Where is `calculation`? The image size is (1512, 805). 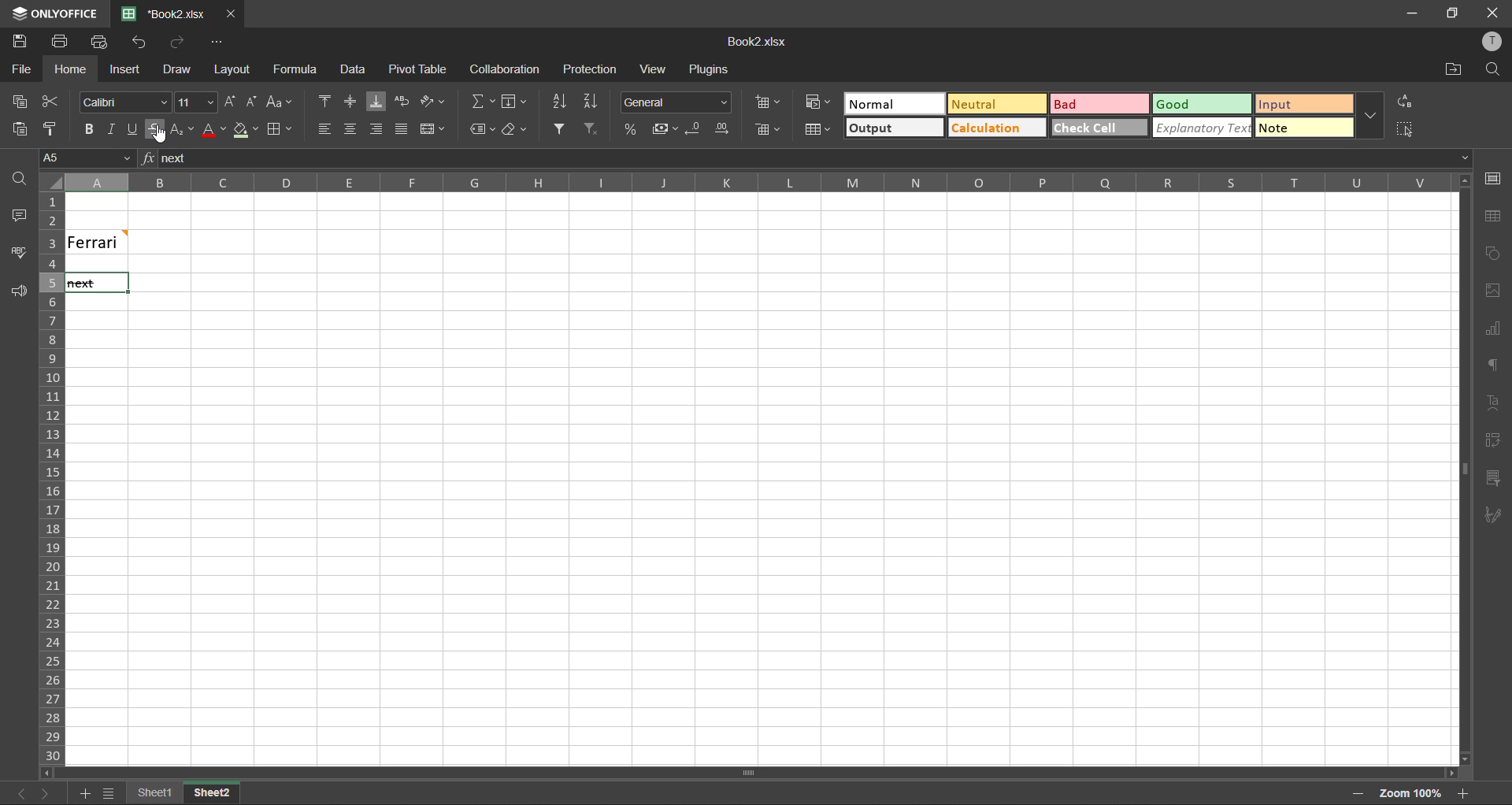 calculation is located at coordinates (997, 127).